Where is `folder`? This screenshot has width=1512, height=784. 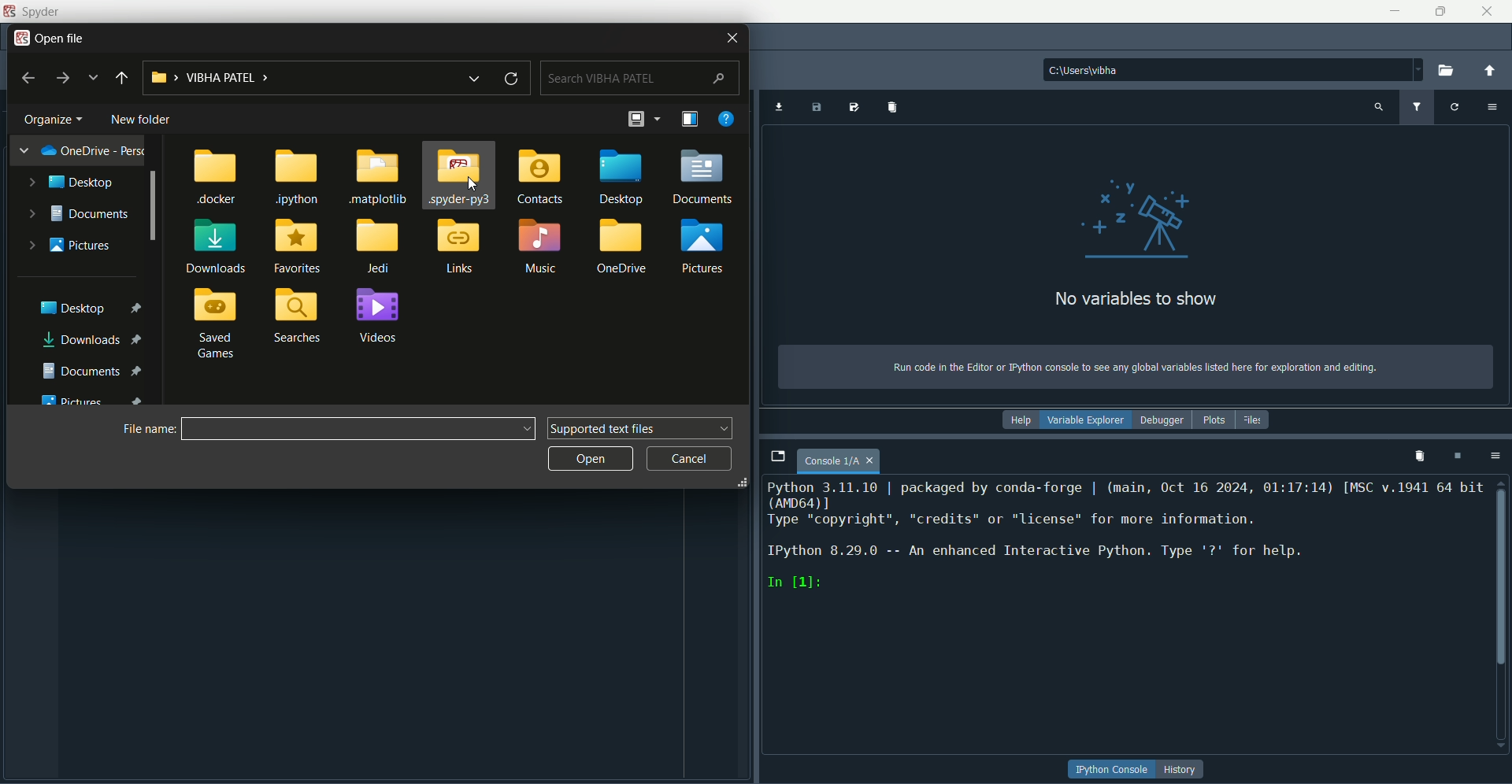 folder is located at coordinates (298, 316).